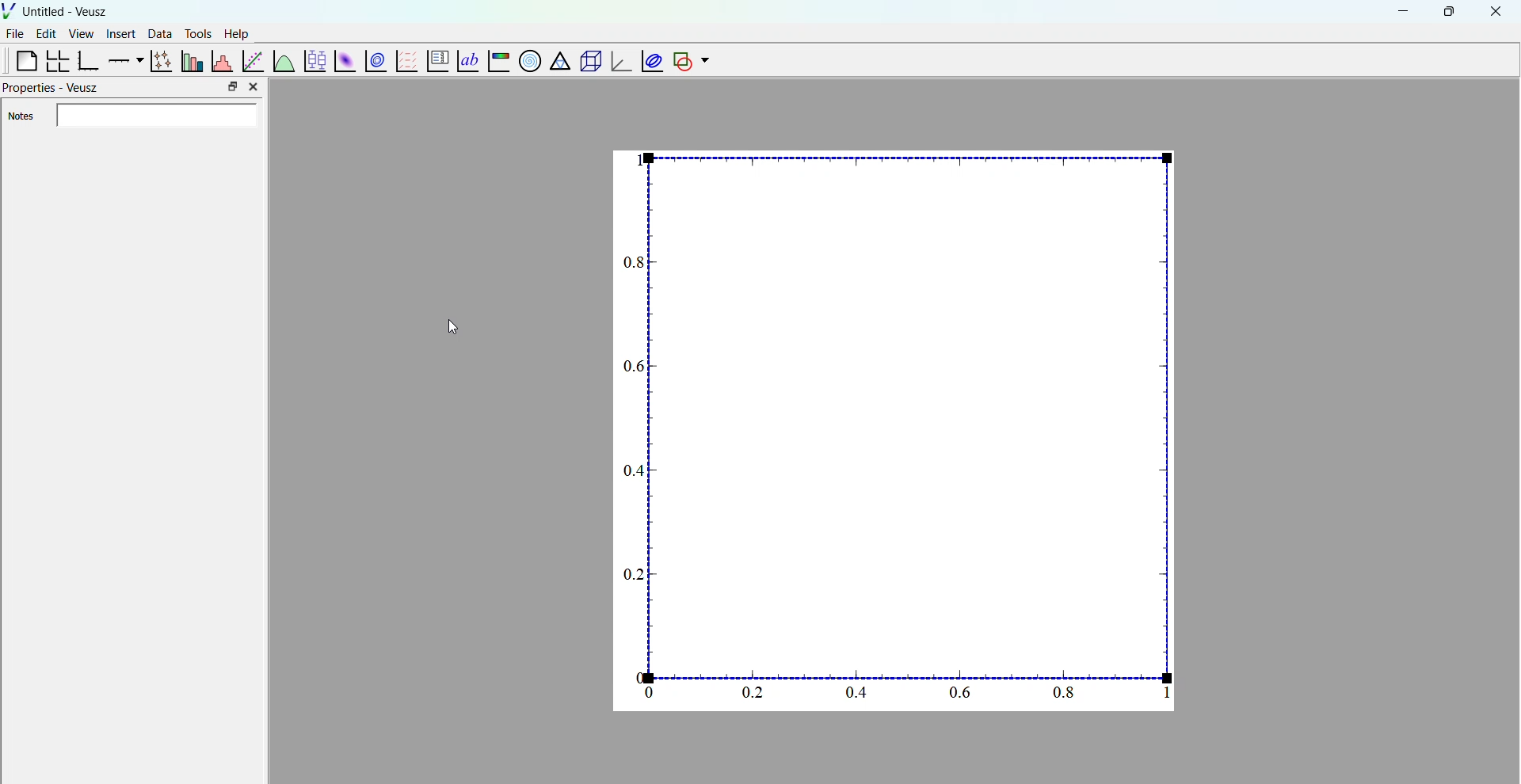 The image size is (1521, 784). What do you see at coordinates (253, 60) in the screenshot?
I see `fit a function to a date` at bounding box center [253, 60].